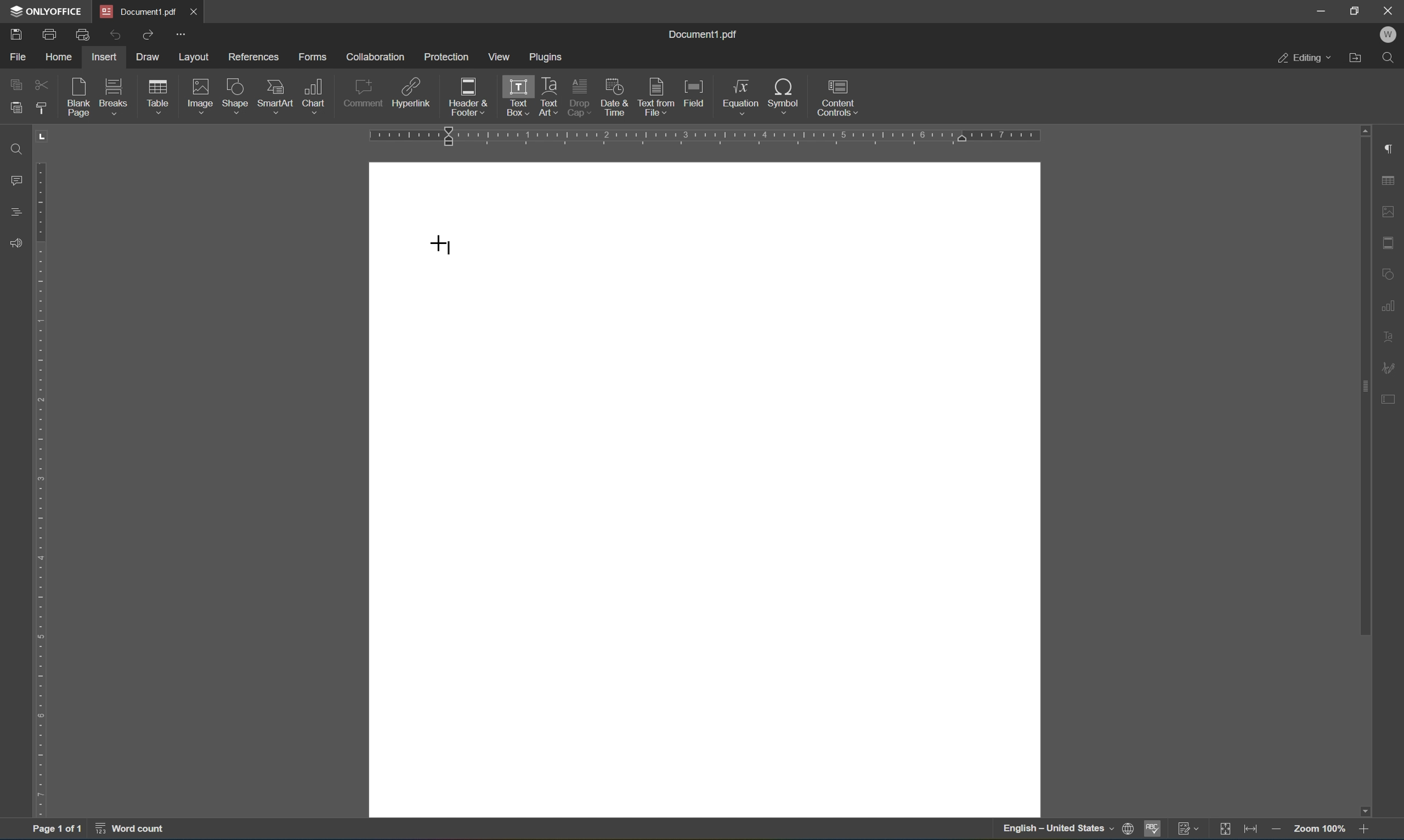 Image resolution: width=1404 pixels, height=840 pixels. What do you see at coordinates (103, 57) in the screenshot?
I see `insert` at bounding box center [103, 57].